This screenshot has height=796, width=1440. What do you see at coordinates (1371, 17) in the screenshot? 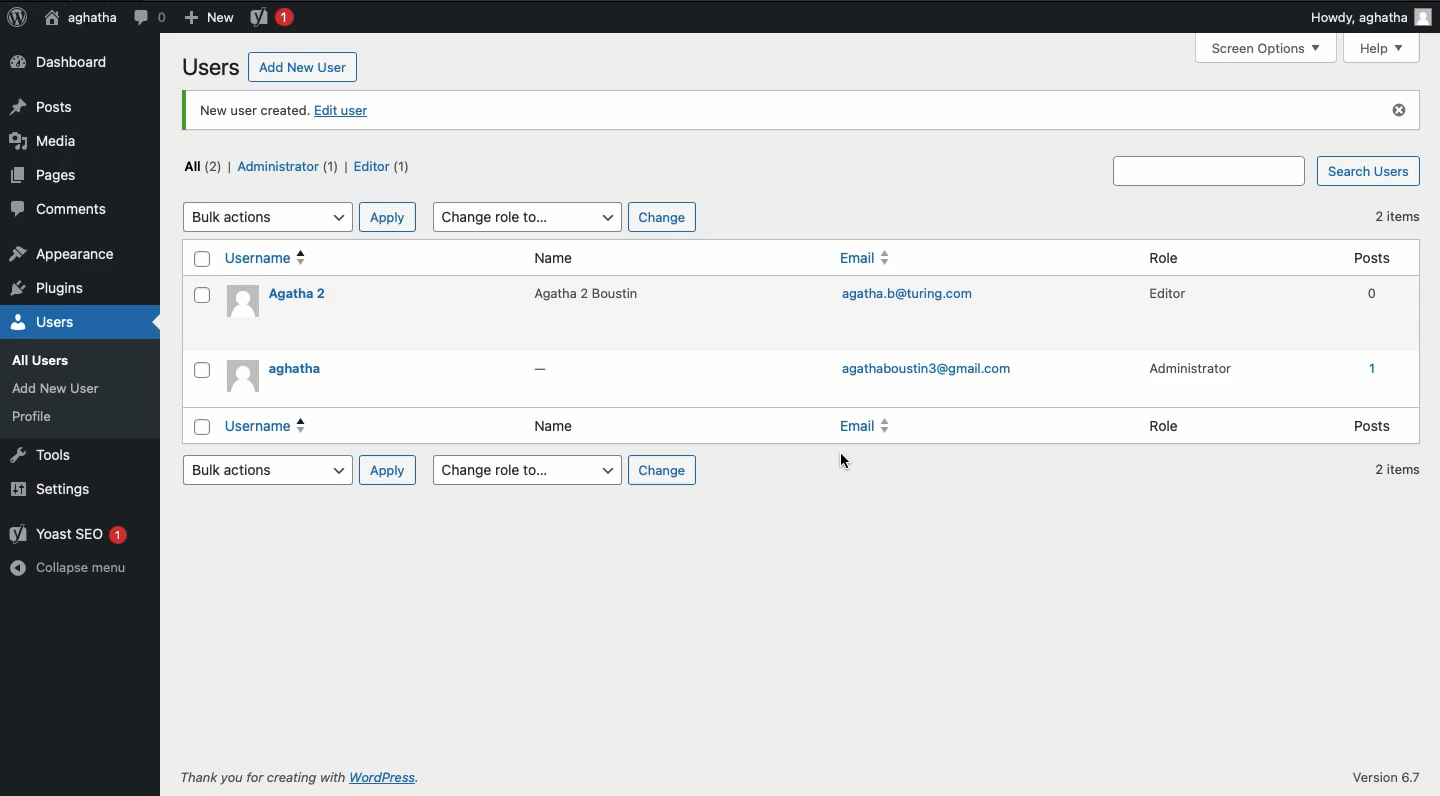
I see `Howdy, aghatha` at bounding box center [1371, 17].